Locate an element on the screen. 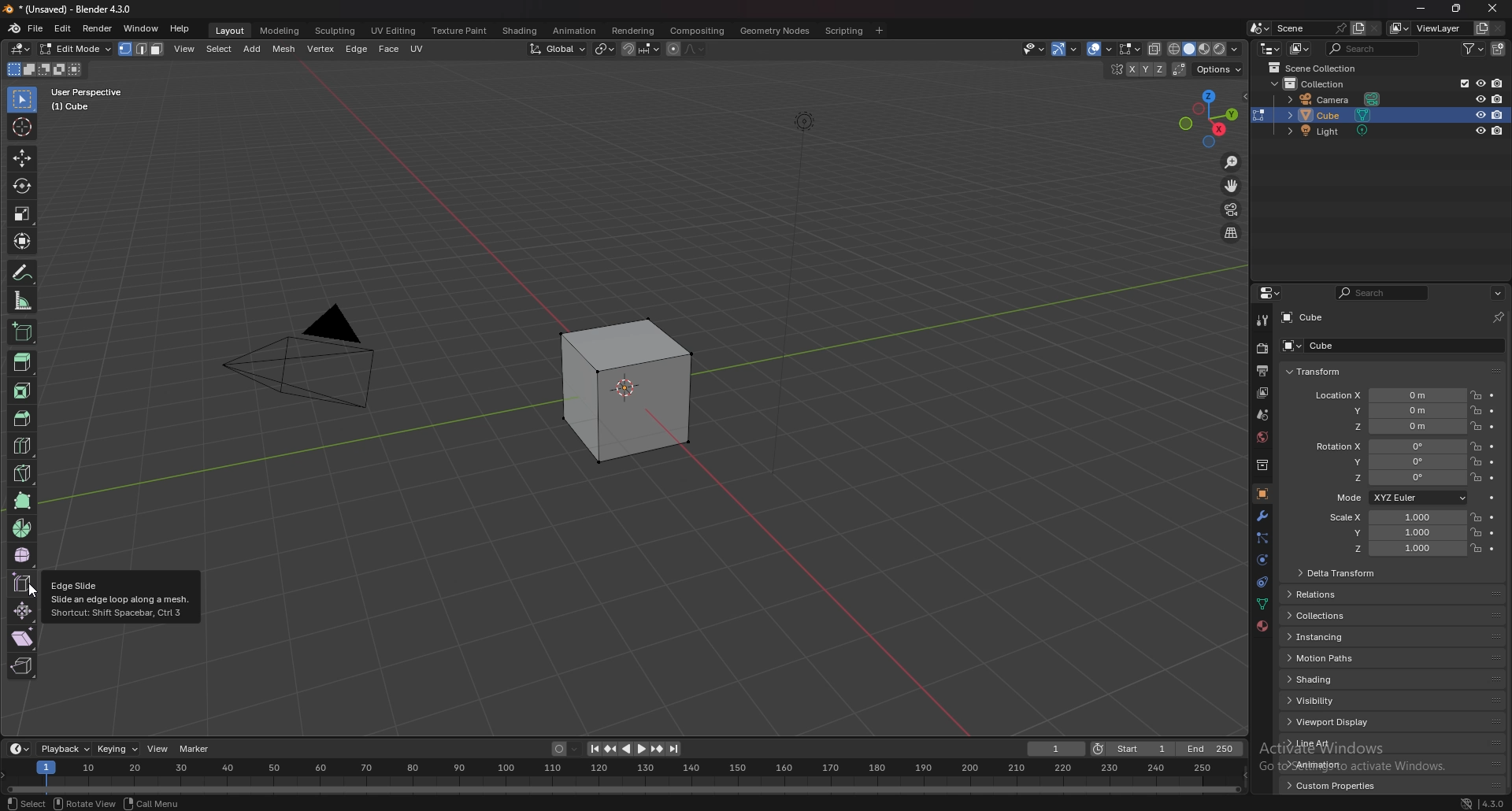 This screenshot has width=1512, height=811. geometry nodes is located at coordinates (774, 31).